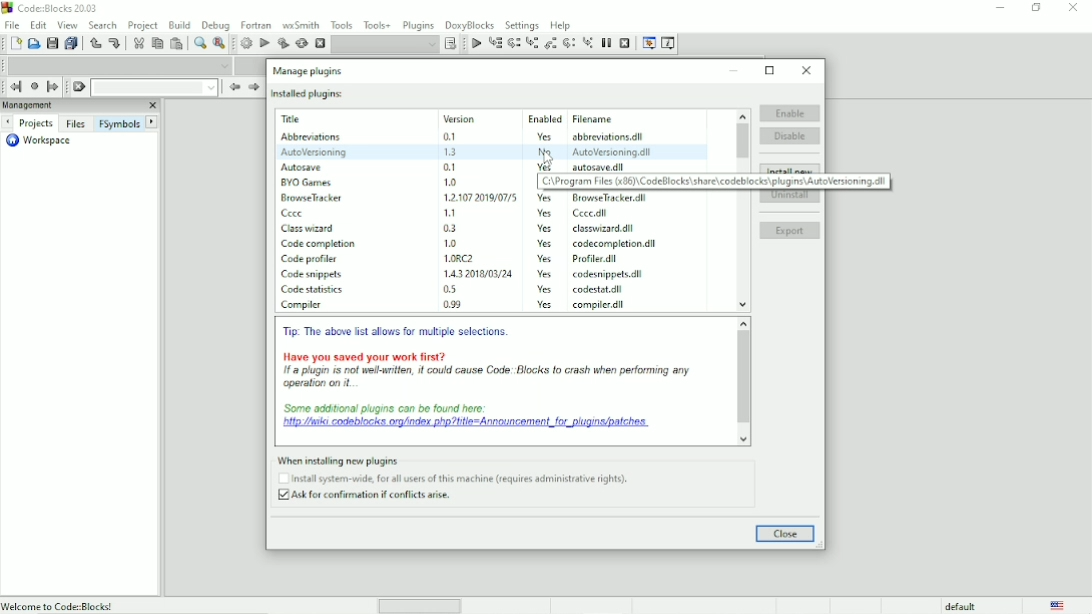 The height and width of the screenshot is (614, 1092). I want to click on Yes, so click(547, 198).